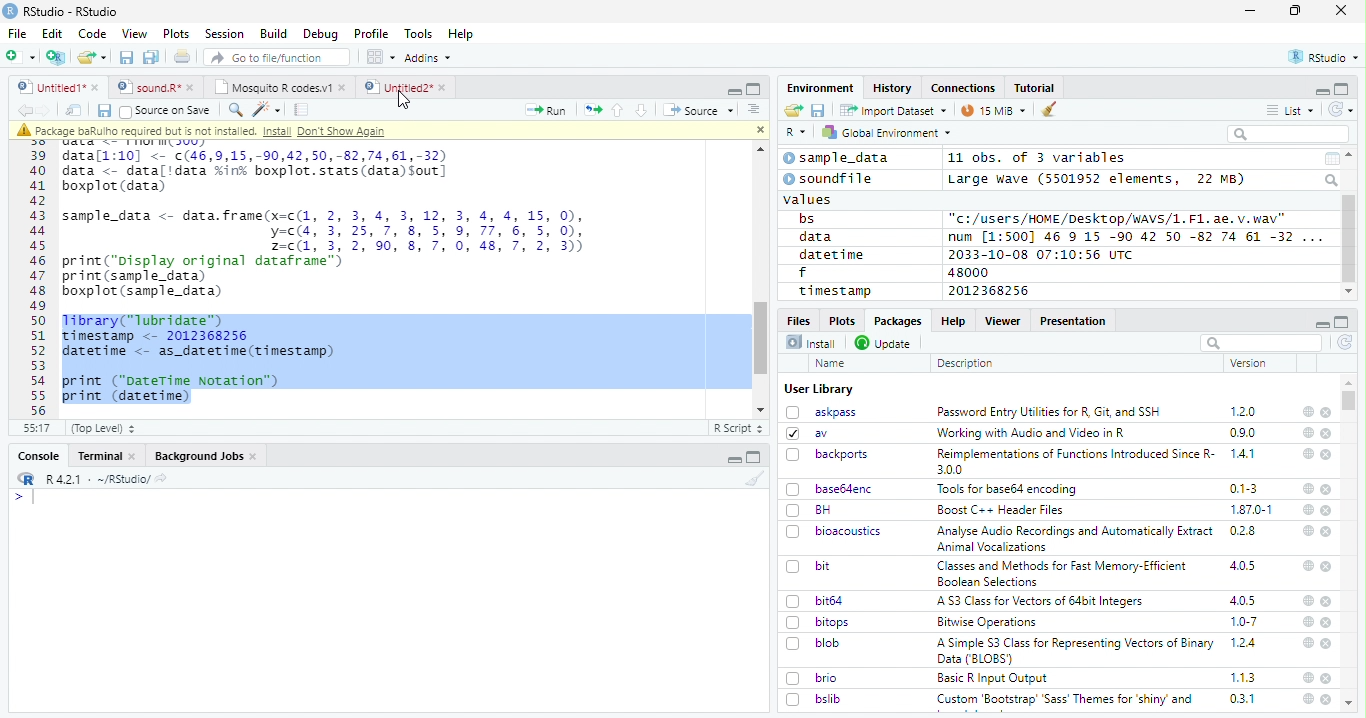 The width and height of the screenshot is (1366, 718). What do you see at coordinates (406, 101) in the screenshot?
I see `cursor` at bounding box center [406, 101].